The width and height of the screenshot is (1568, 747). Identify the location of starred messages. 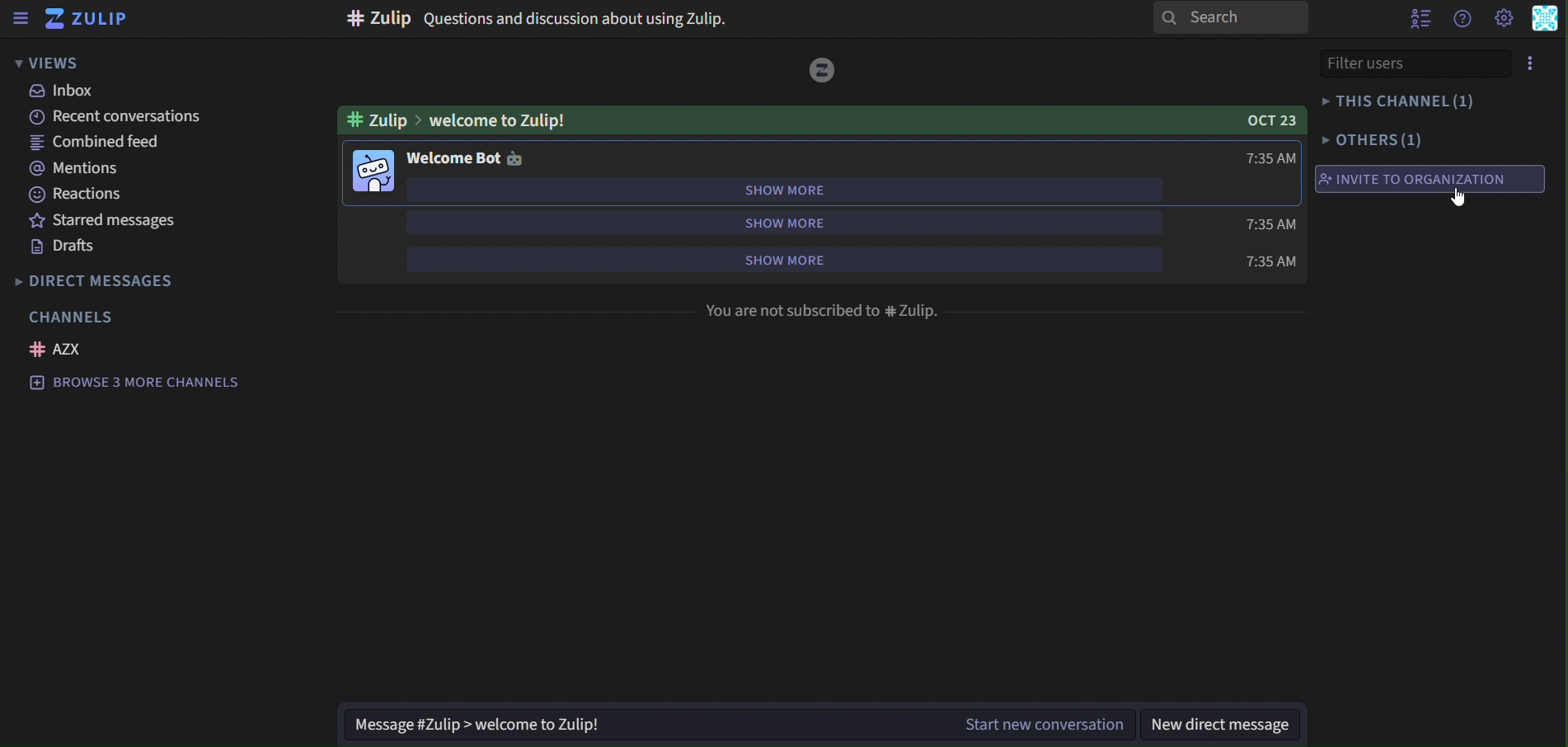
(107, 221).